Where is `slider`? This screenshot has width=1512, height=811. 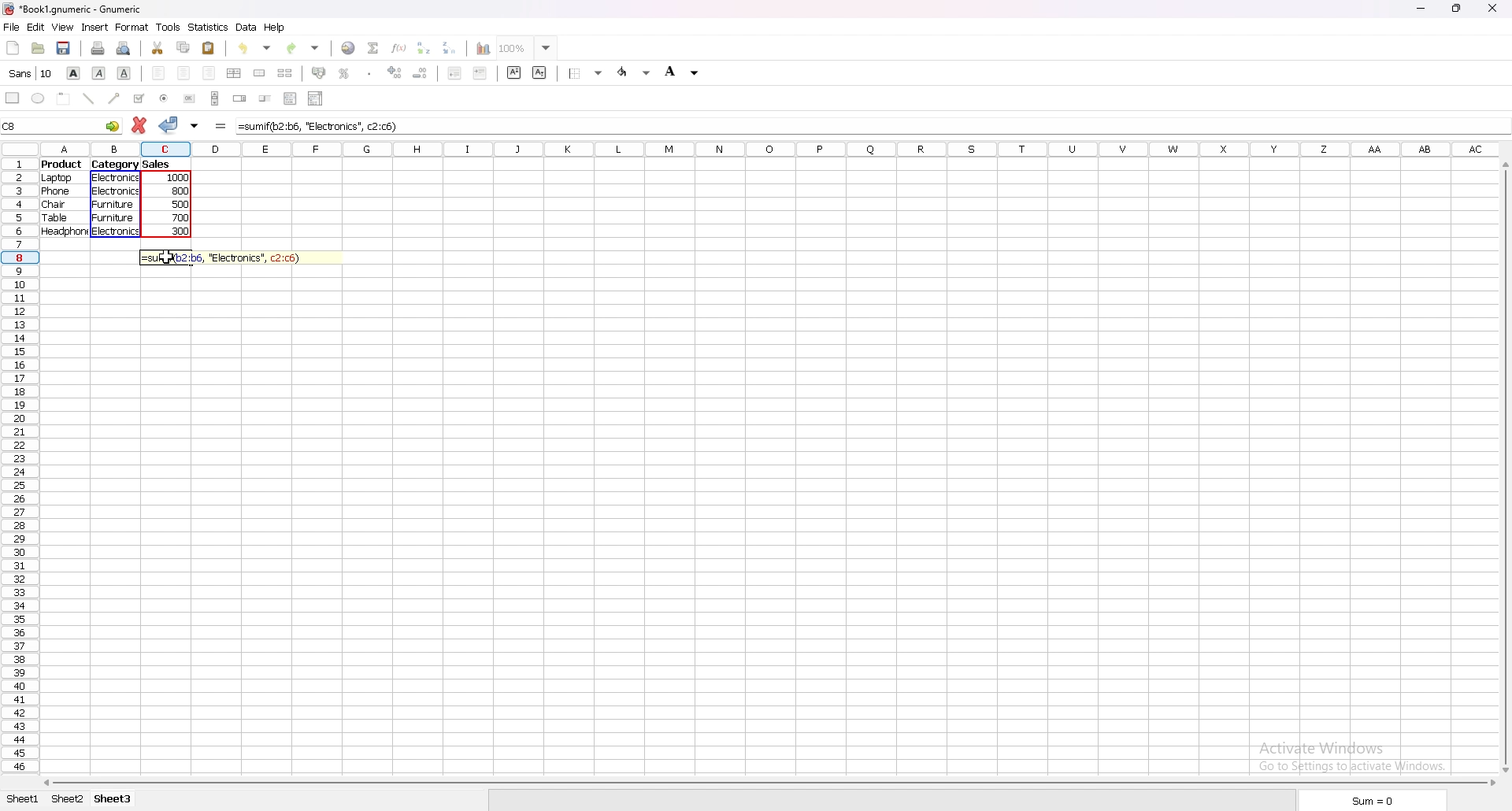
slider is located at coordinates (265, 100).